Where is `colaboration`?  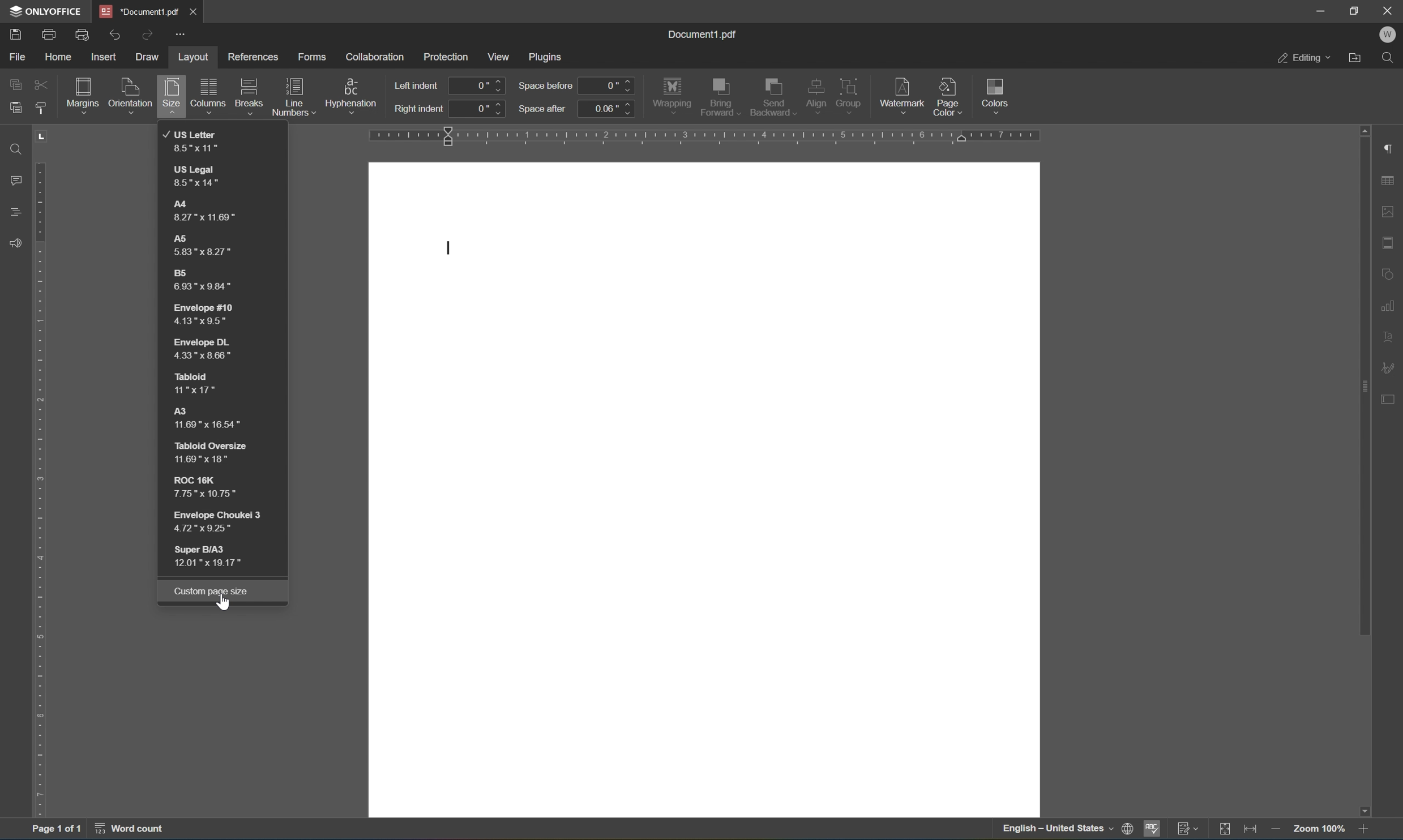 colaboration is located at coordinates (375, 55).